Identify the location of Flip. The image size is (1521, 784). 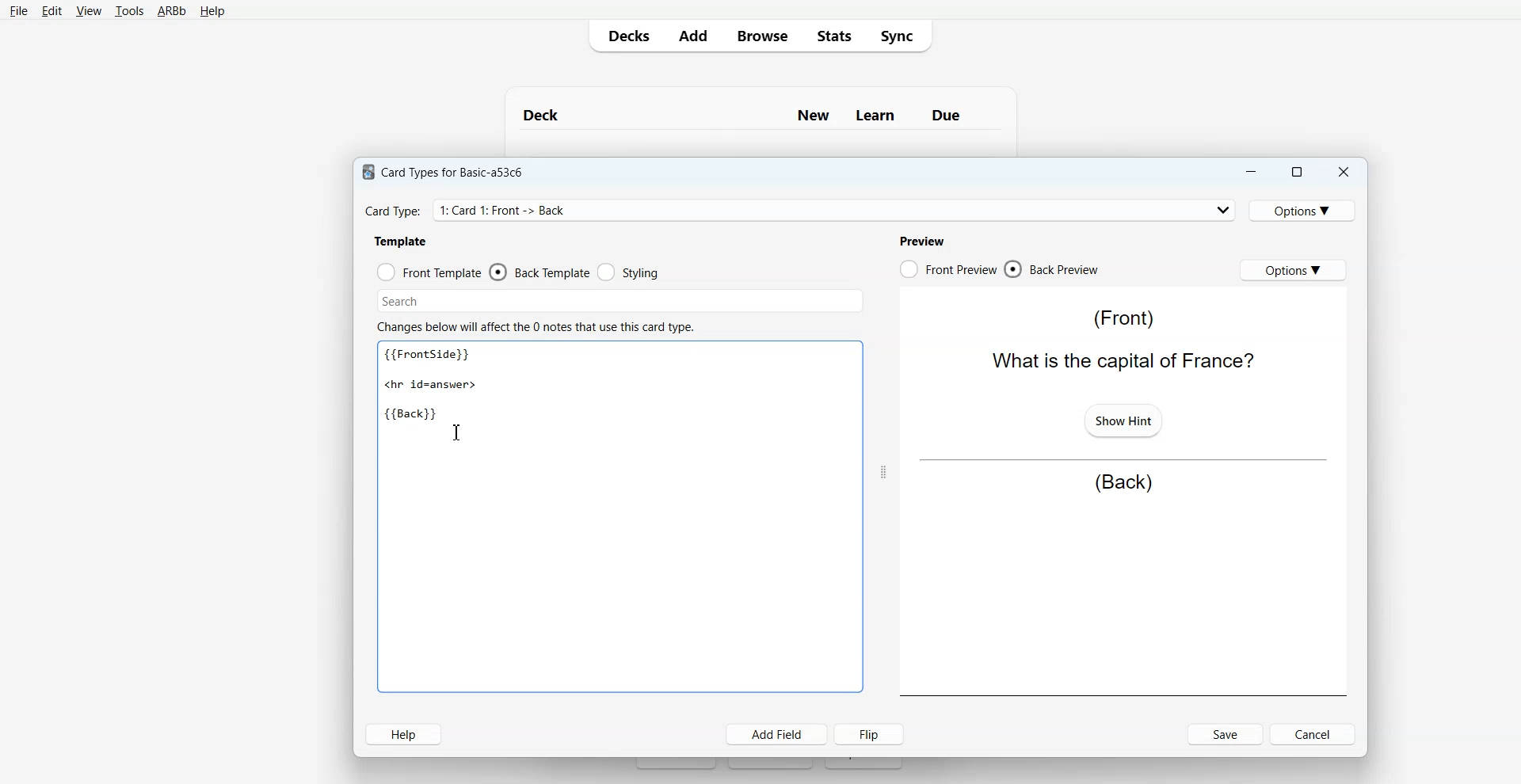
(872, 733).